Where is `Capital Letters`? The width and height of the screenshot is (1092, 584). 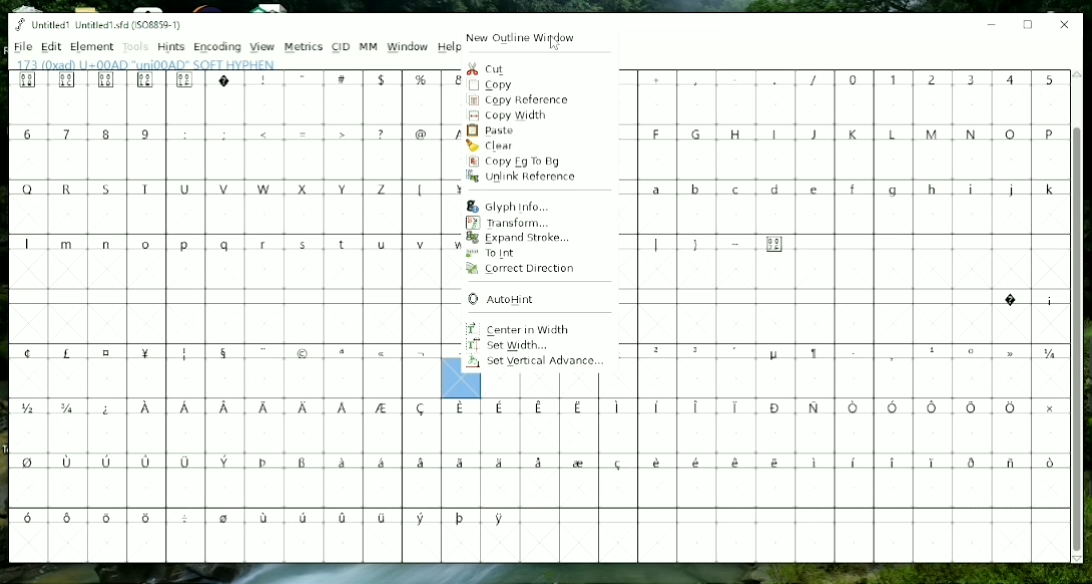
Capital Letters is located at coordinates (228, 190).